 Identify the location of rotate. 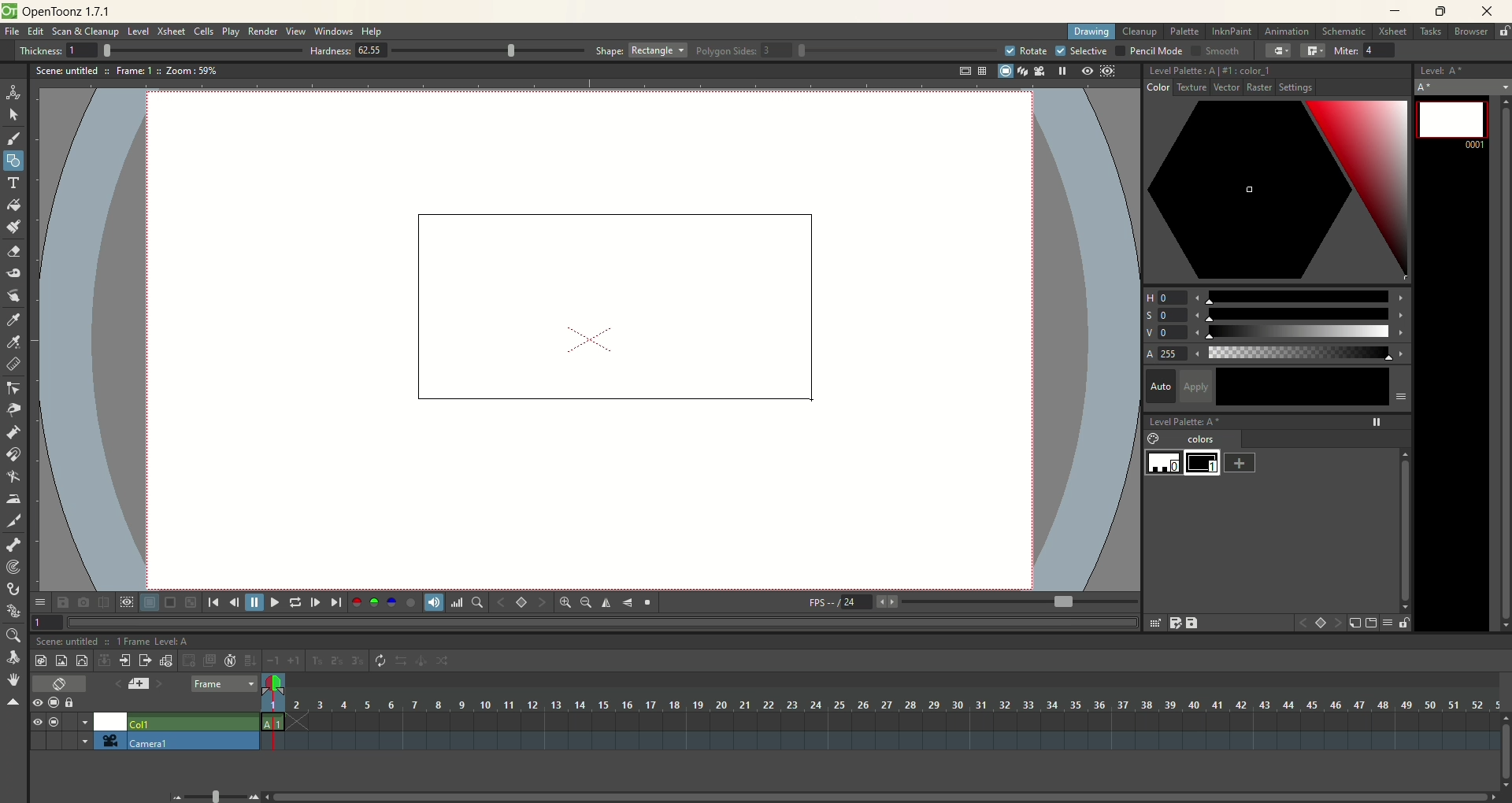
(1025, 50).